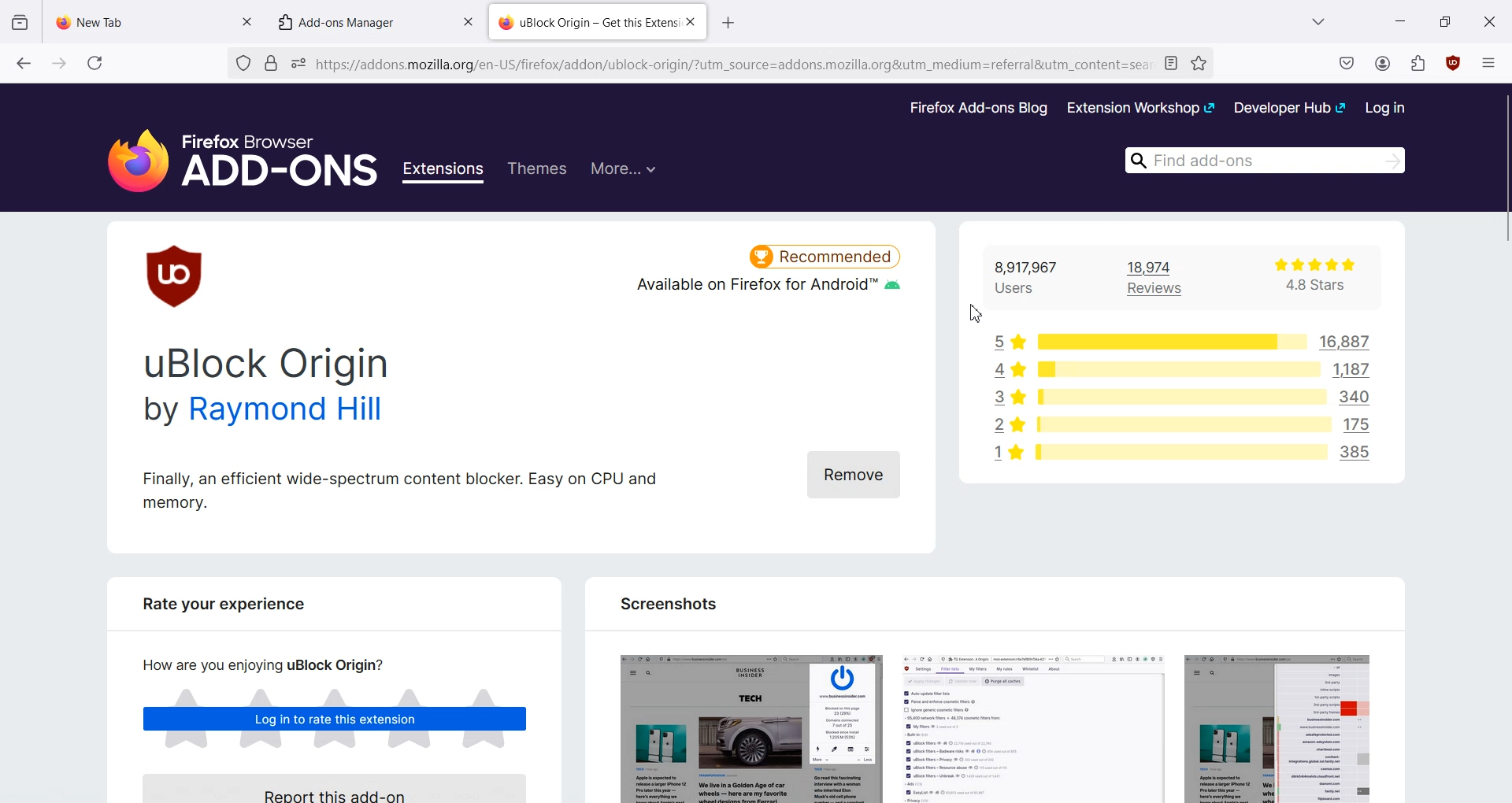  What do you see at coordinates (1180, 451) in the screenshot?
I see `rating bar` at bounding box center [1180, 451].